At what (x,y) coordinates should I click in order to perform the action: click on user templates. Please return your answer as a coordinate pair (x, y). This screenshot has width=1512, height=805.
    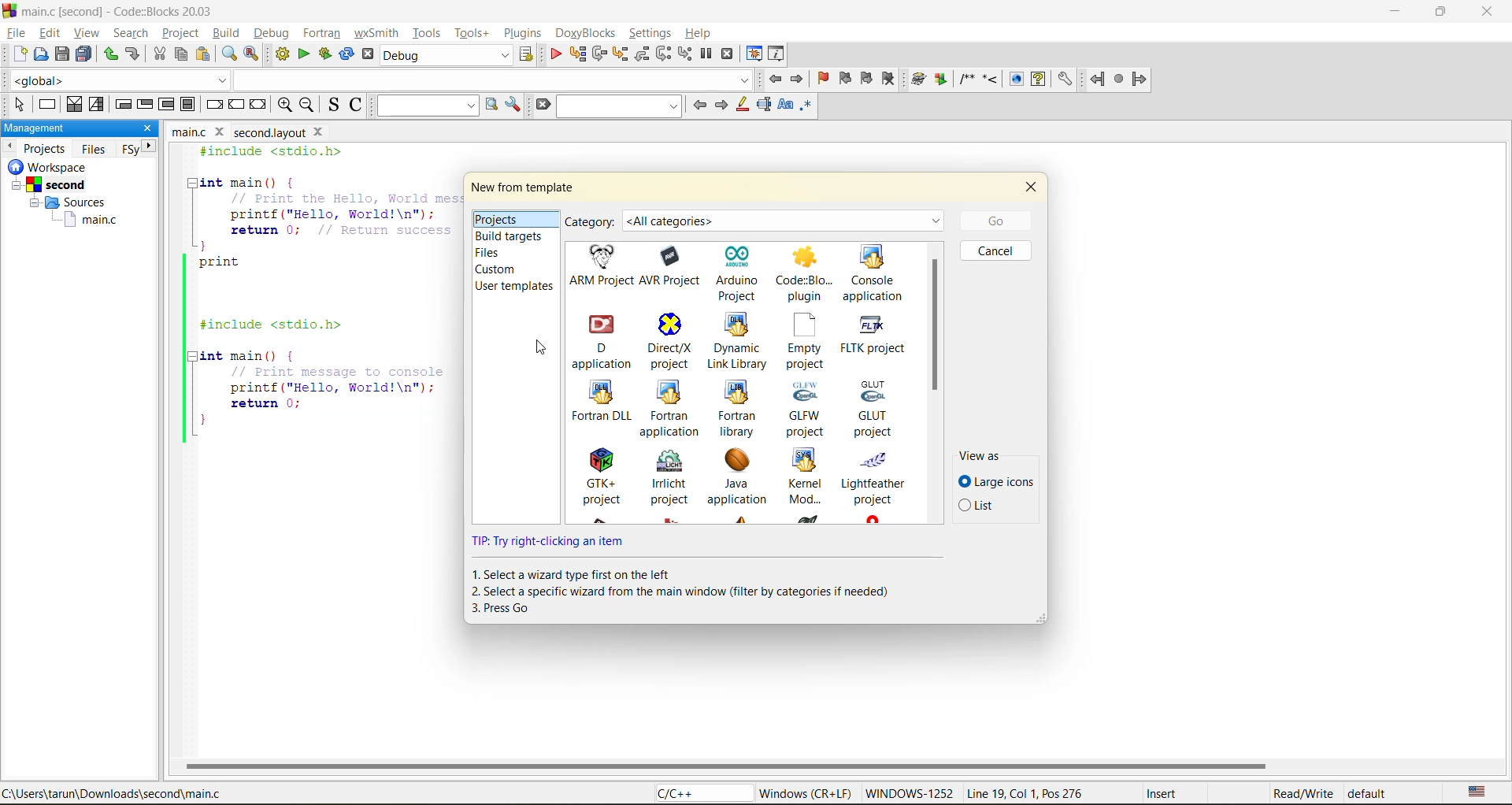
    Looking at the image, I should click on (513, 287).